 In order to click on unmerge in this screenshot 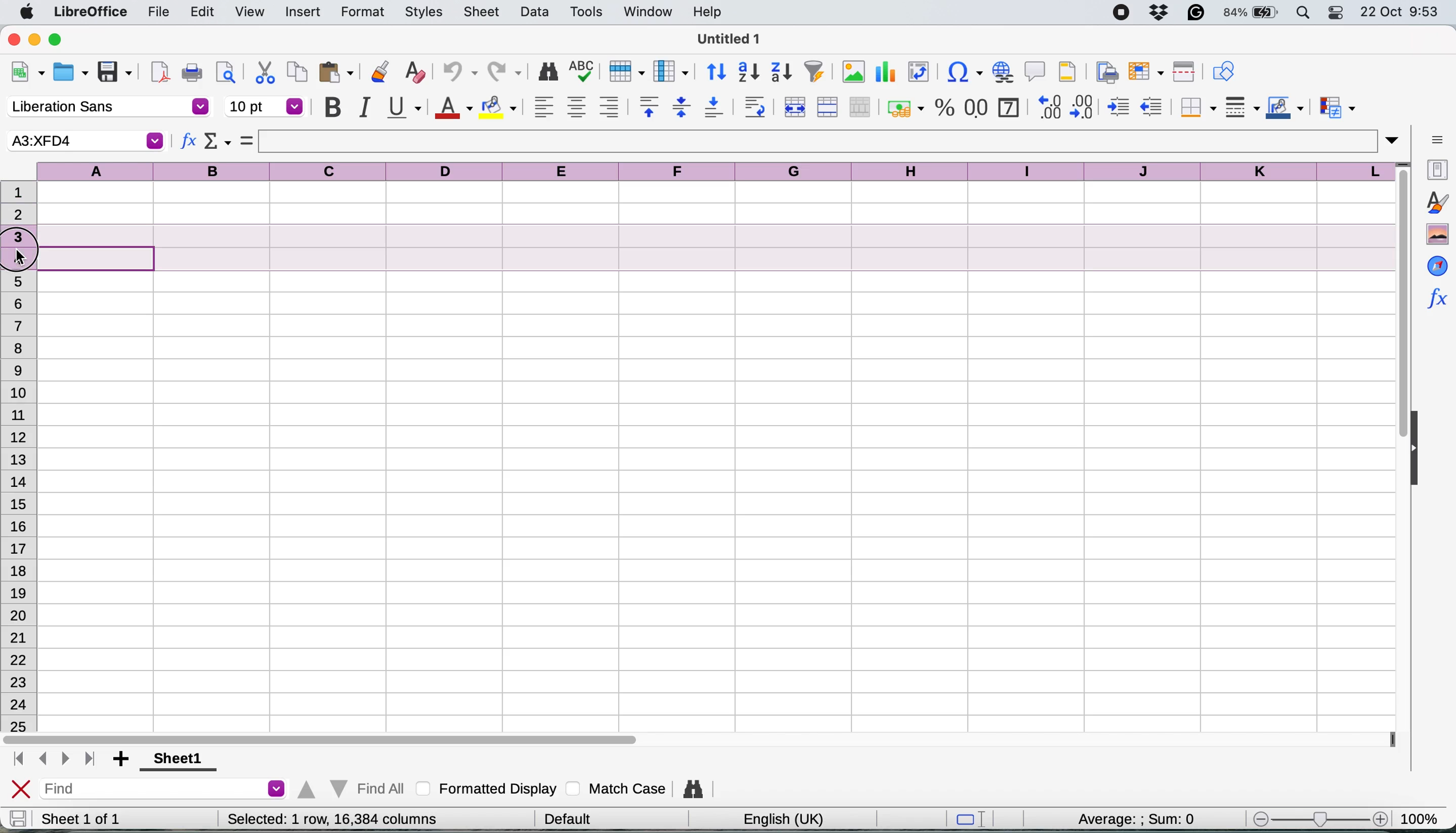, I will do `click(860, 108)`.